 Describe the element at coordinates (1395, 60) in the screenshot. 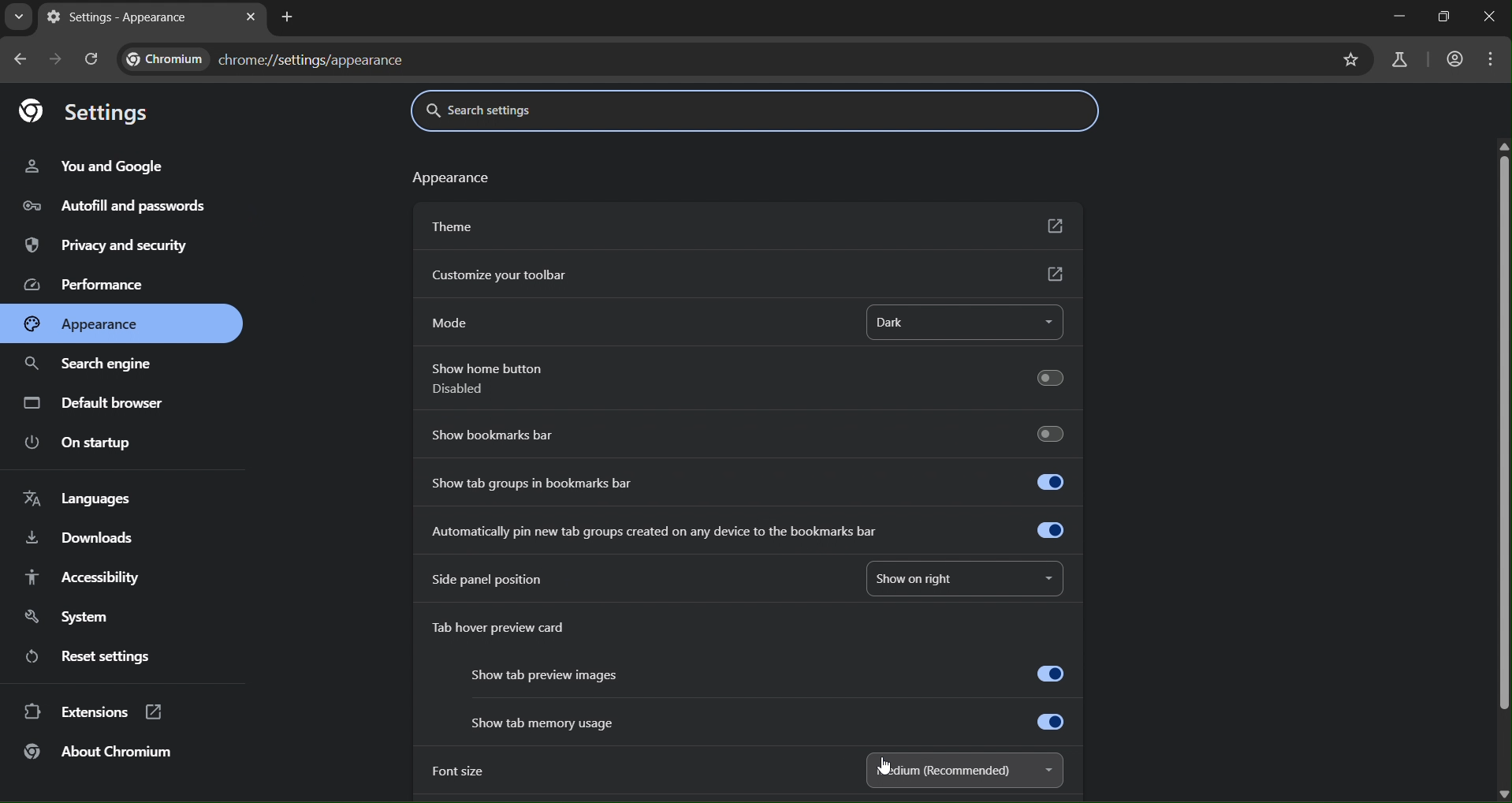

I see `search labs` at that location.